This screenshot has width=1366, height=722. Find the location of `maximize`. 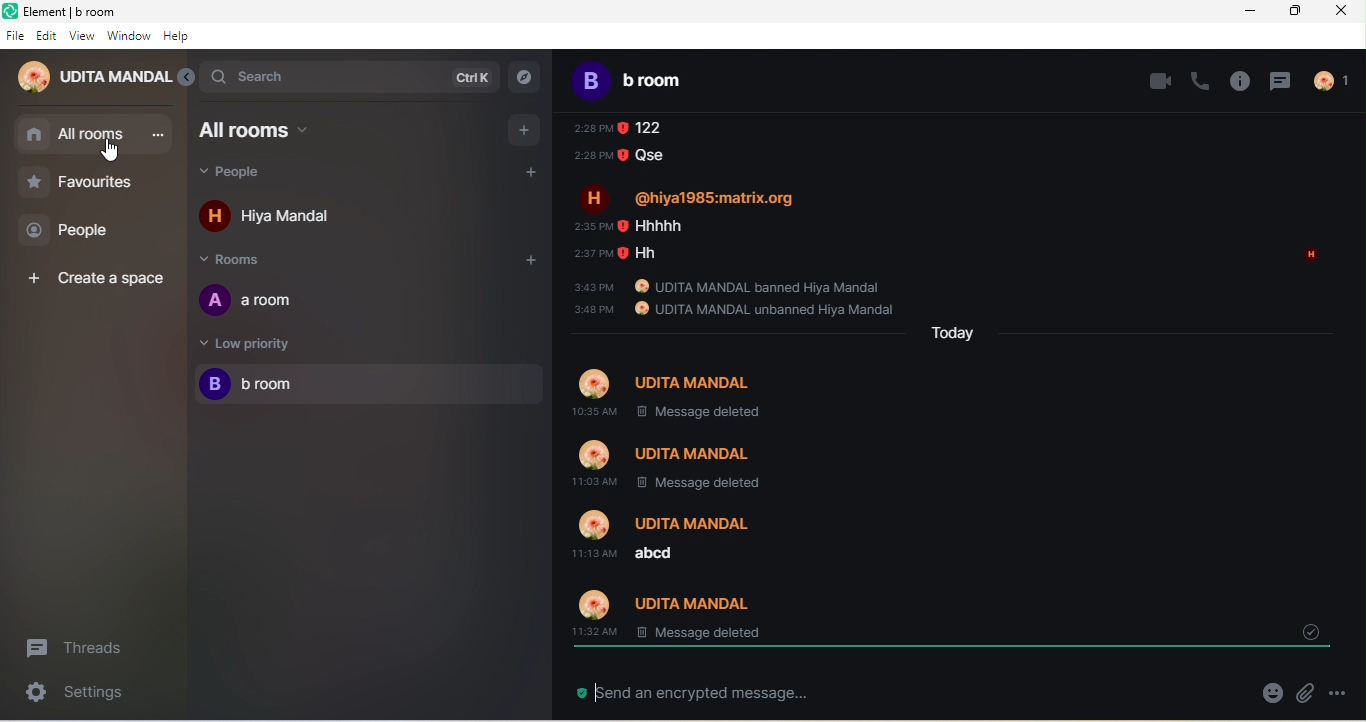

maximize is located at coordinates (1296, 11).